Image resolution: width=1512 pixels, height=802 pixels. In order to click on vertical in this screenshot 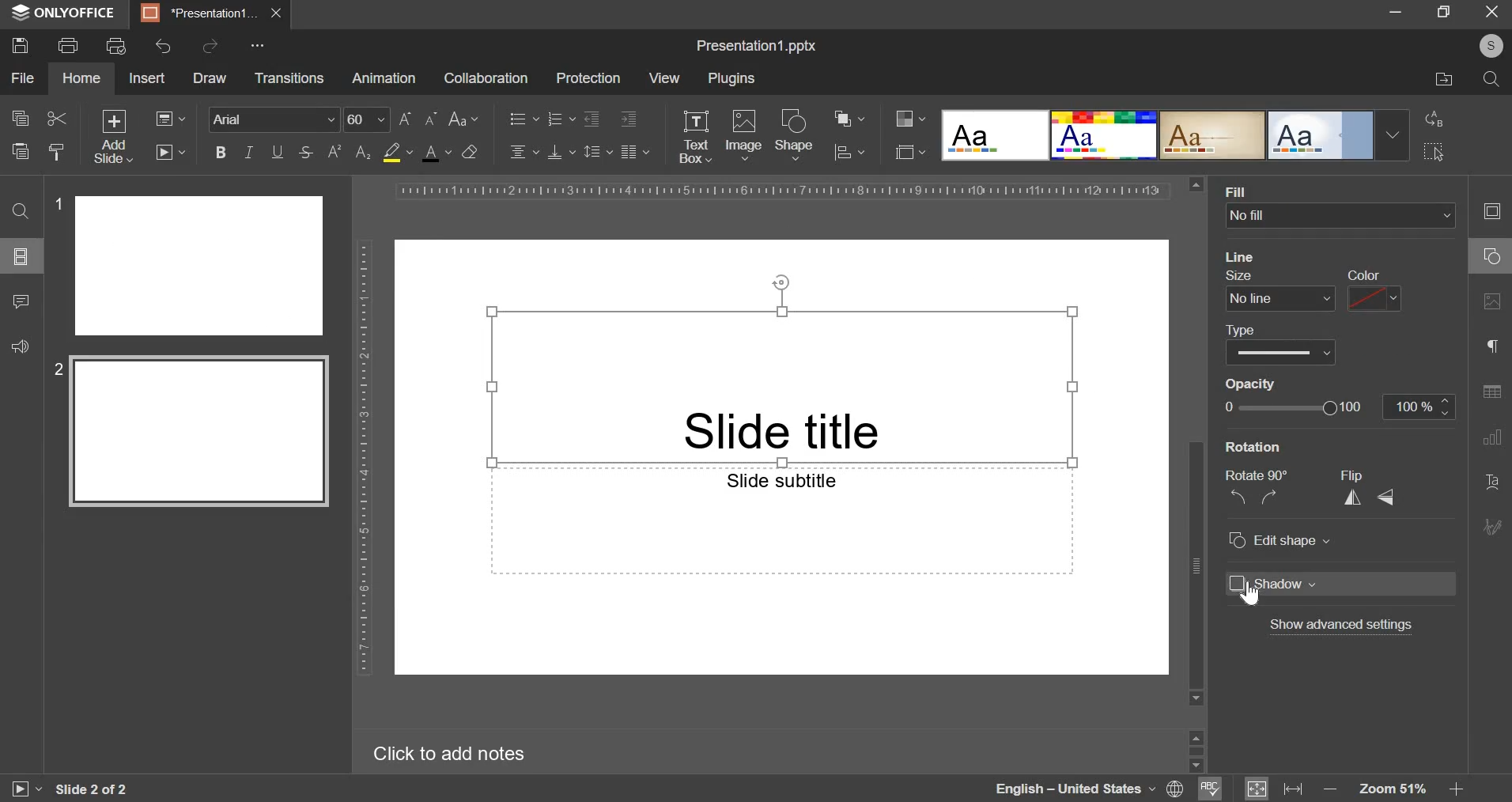, I will do `click(1356, 496)`.